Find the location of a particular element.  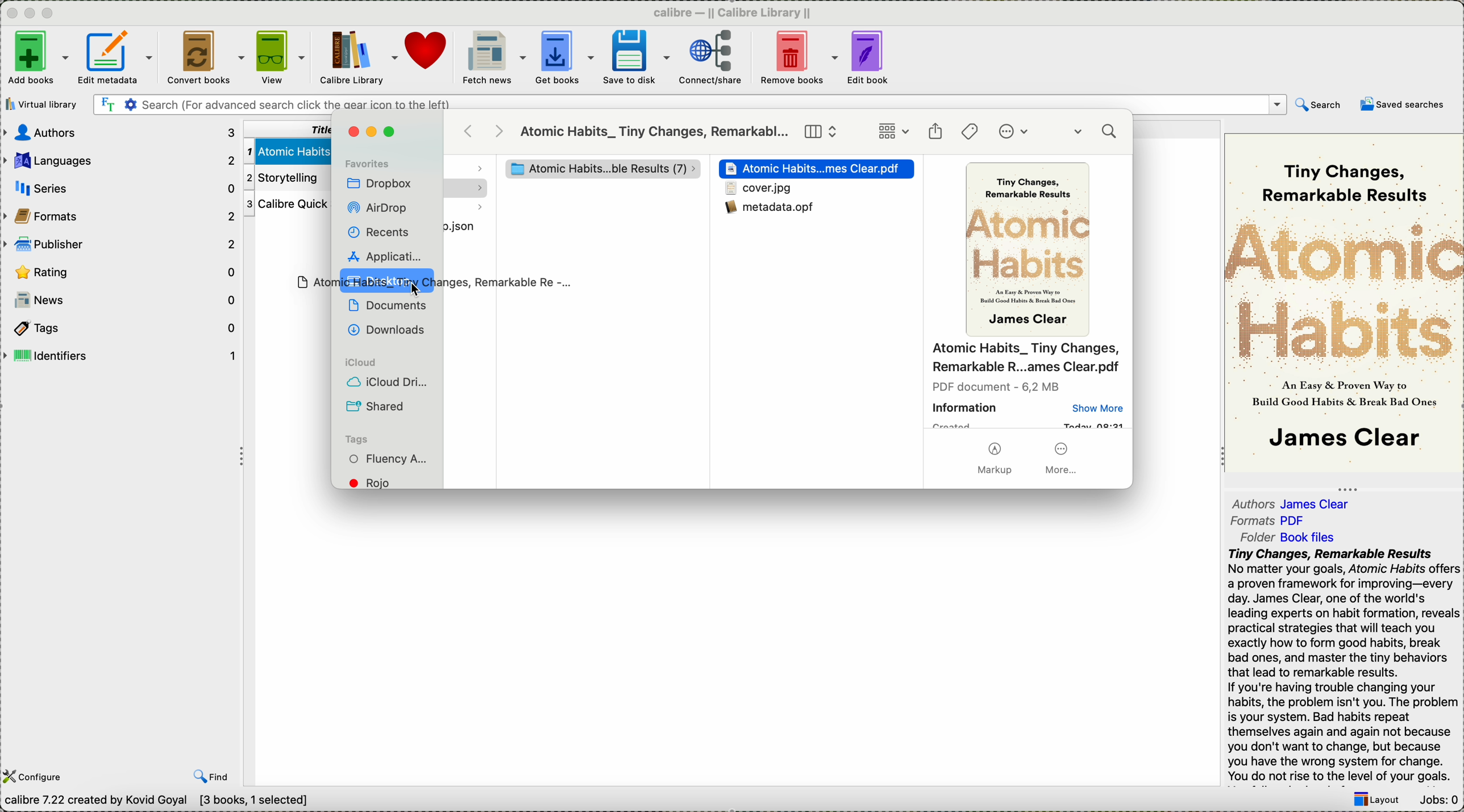

find is located at coordinates (211, 776).